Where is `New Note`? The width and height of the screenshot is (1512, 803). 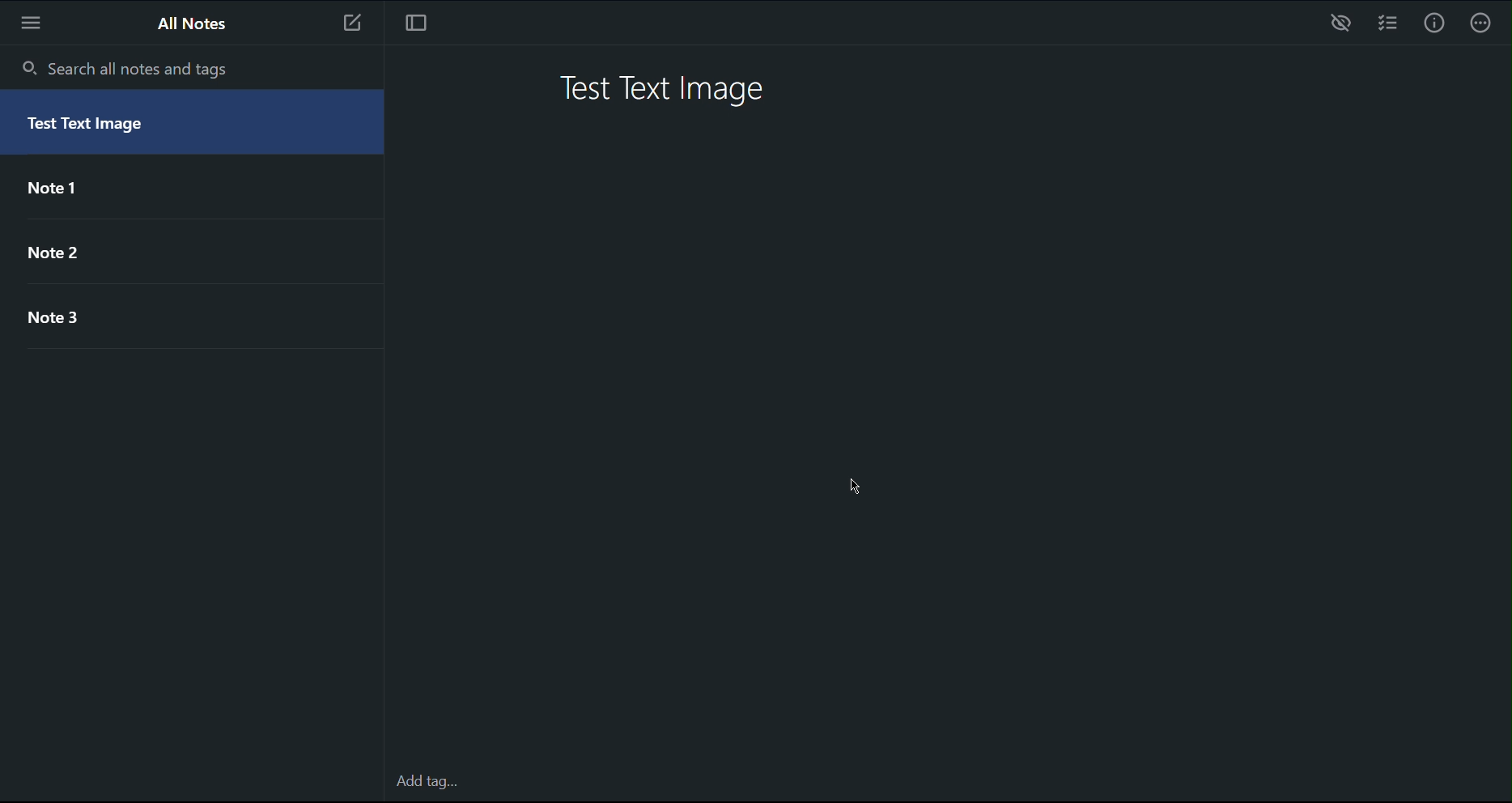
New Note is located at coordinates (352, 22).